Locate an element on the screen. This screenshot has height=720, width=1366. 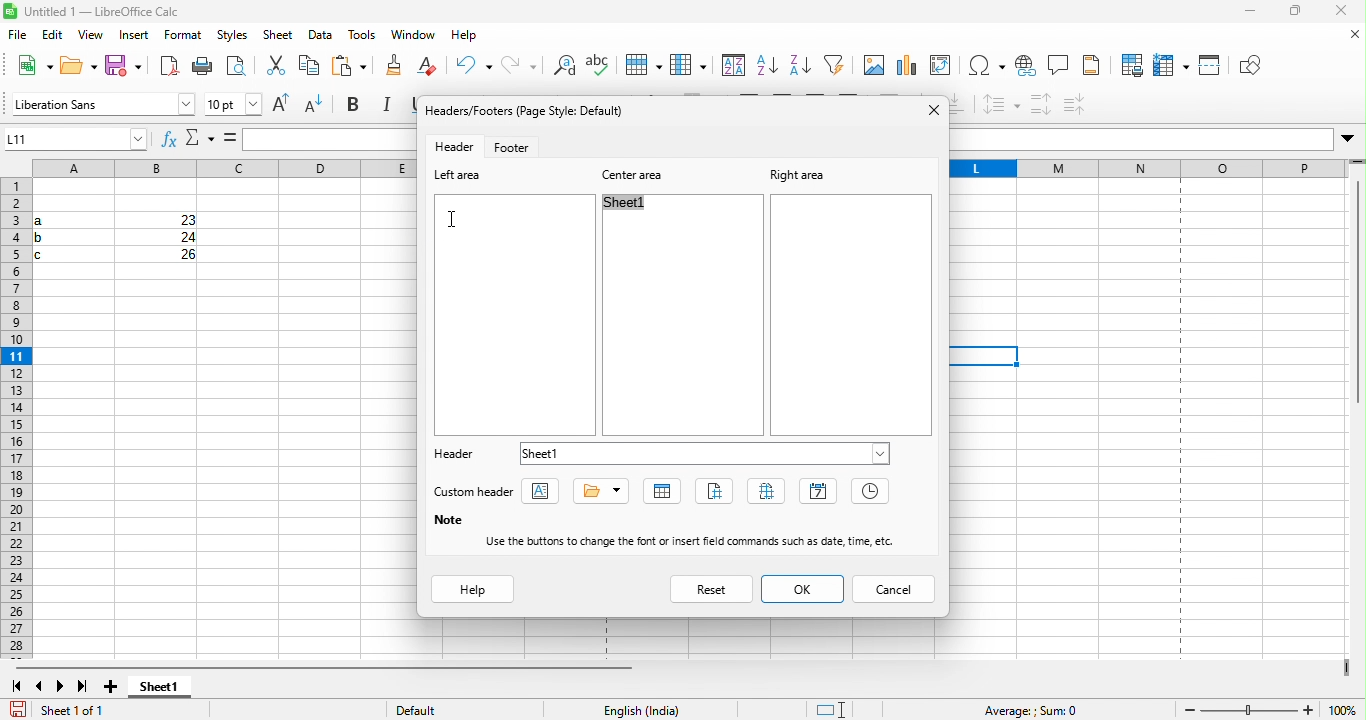
data is located at coordinates (321, 39).